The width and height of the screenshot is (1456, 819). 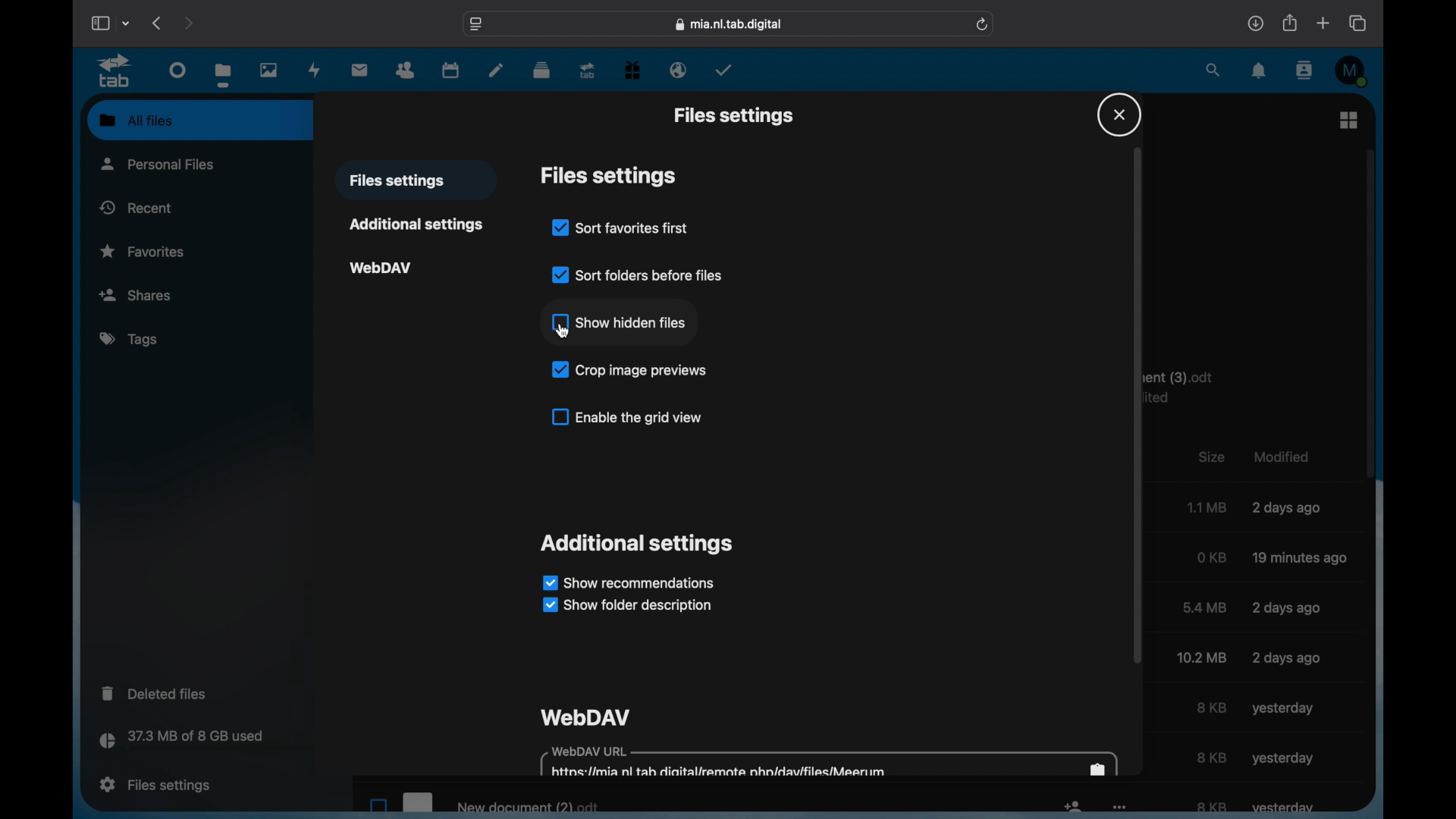 What do you see at coordinates (1209, 507) in the screenshot?
I see `size` at bounding box center [1209, 507].